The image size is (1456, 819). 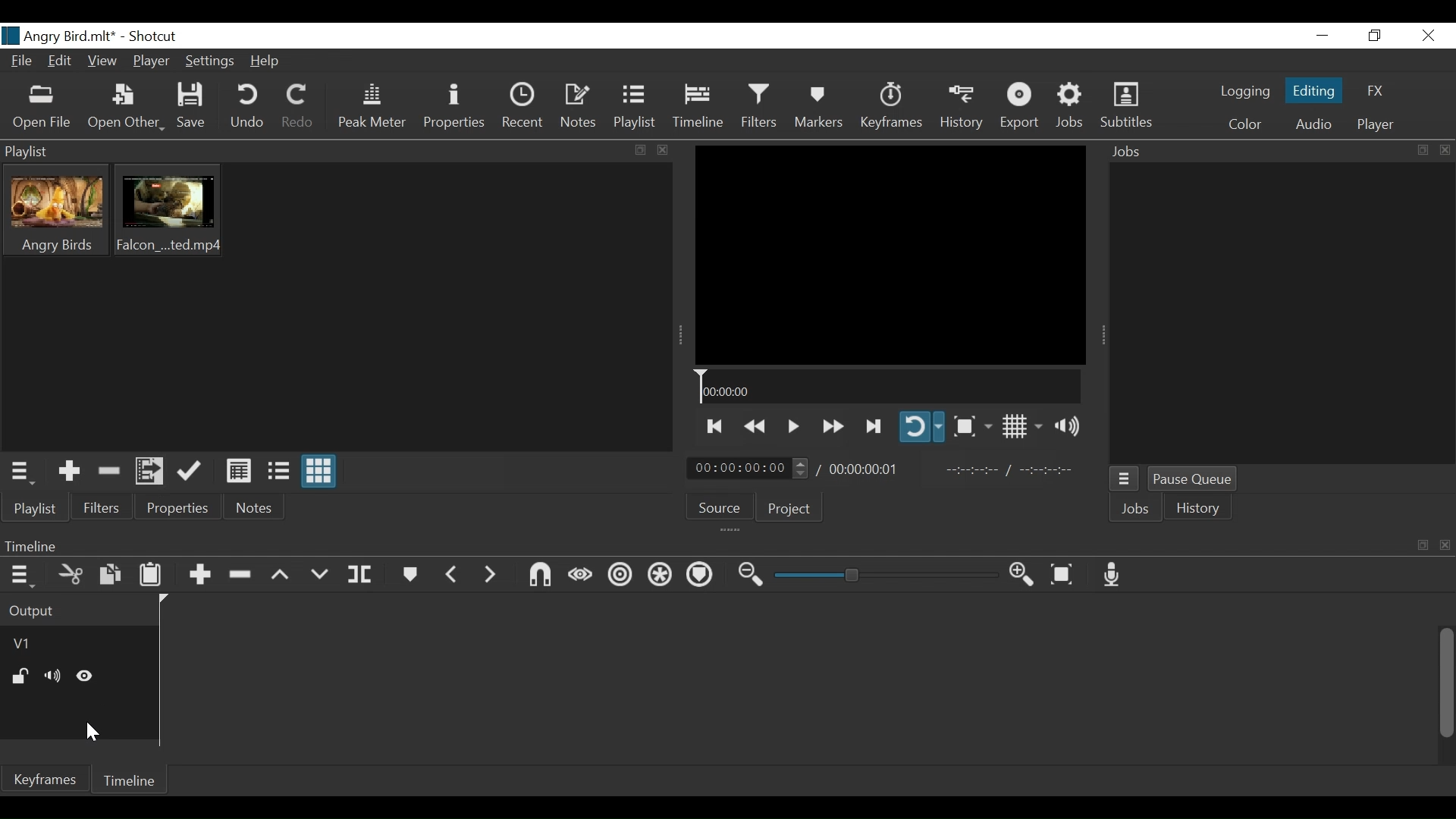 I want to click on Notes, so click(x=256, y=509).